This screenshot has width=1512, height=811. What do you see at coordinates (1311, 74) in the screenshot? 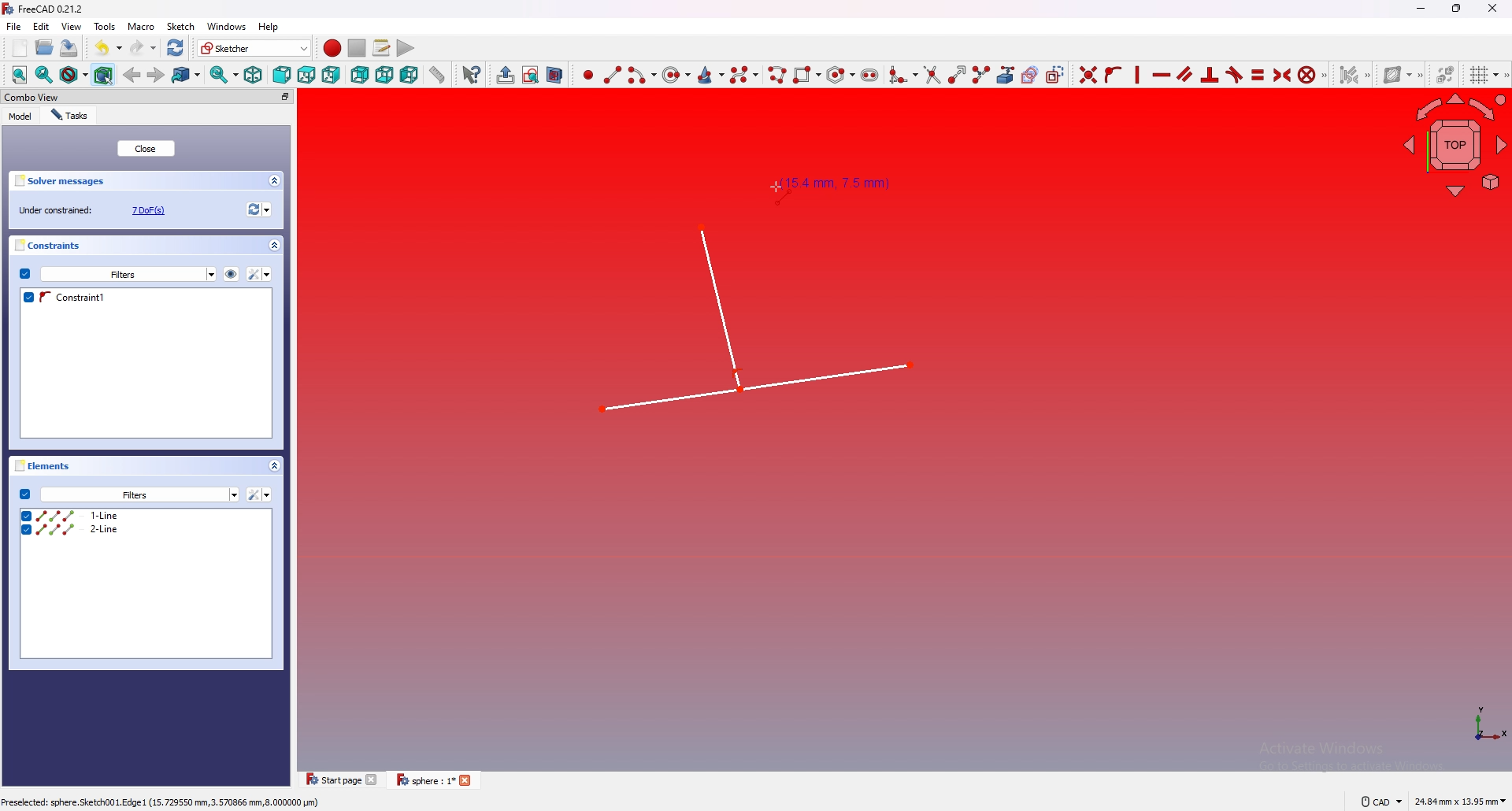
I see `Constrain block` at bounding box center [1311, 74].